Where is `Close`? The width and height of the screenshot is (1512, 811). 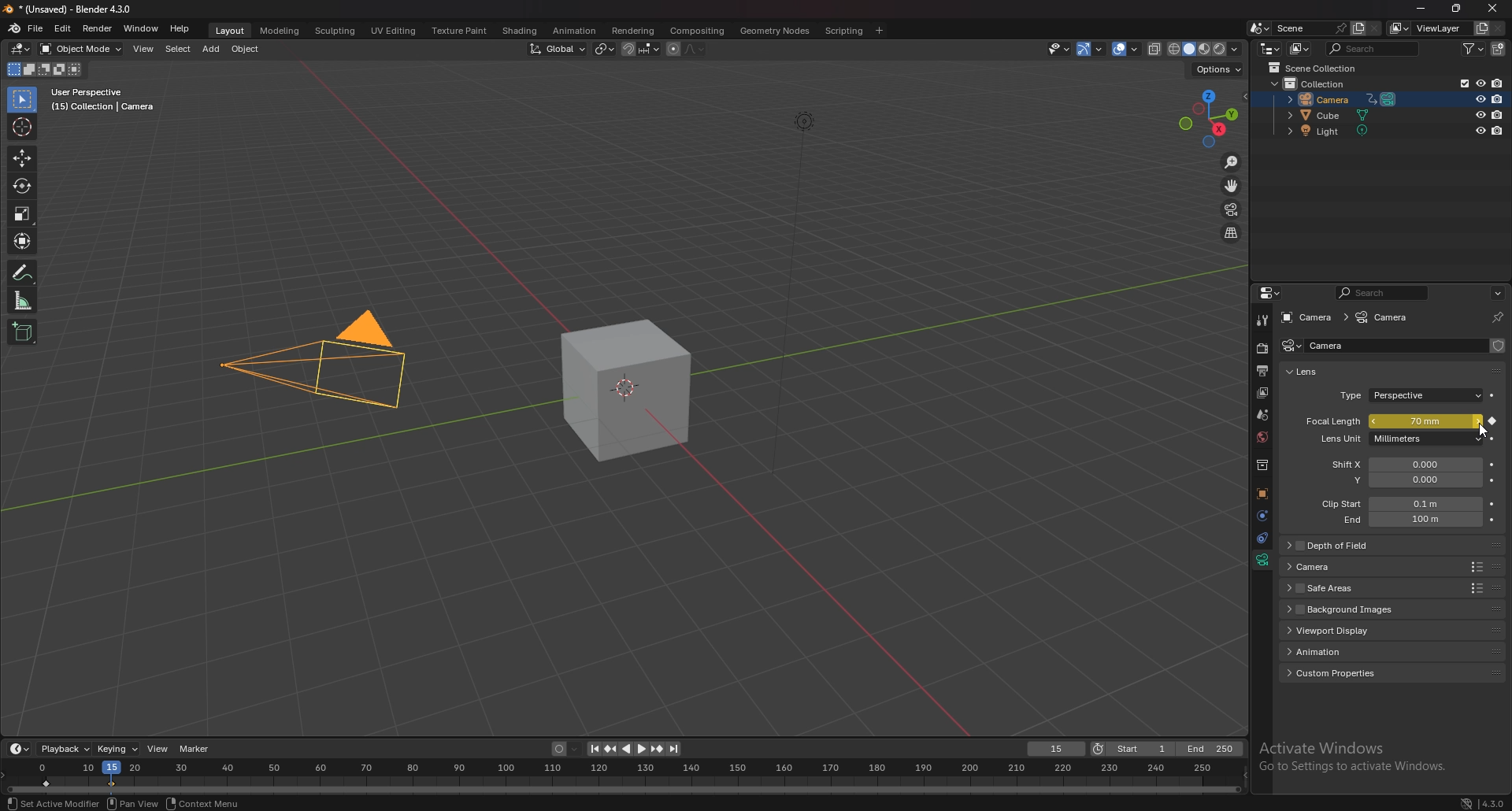 Close is located at coordinates (1490, 9).